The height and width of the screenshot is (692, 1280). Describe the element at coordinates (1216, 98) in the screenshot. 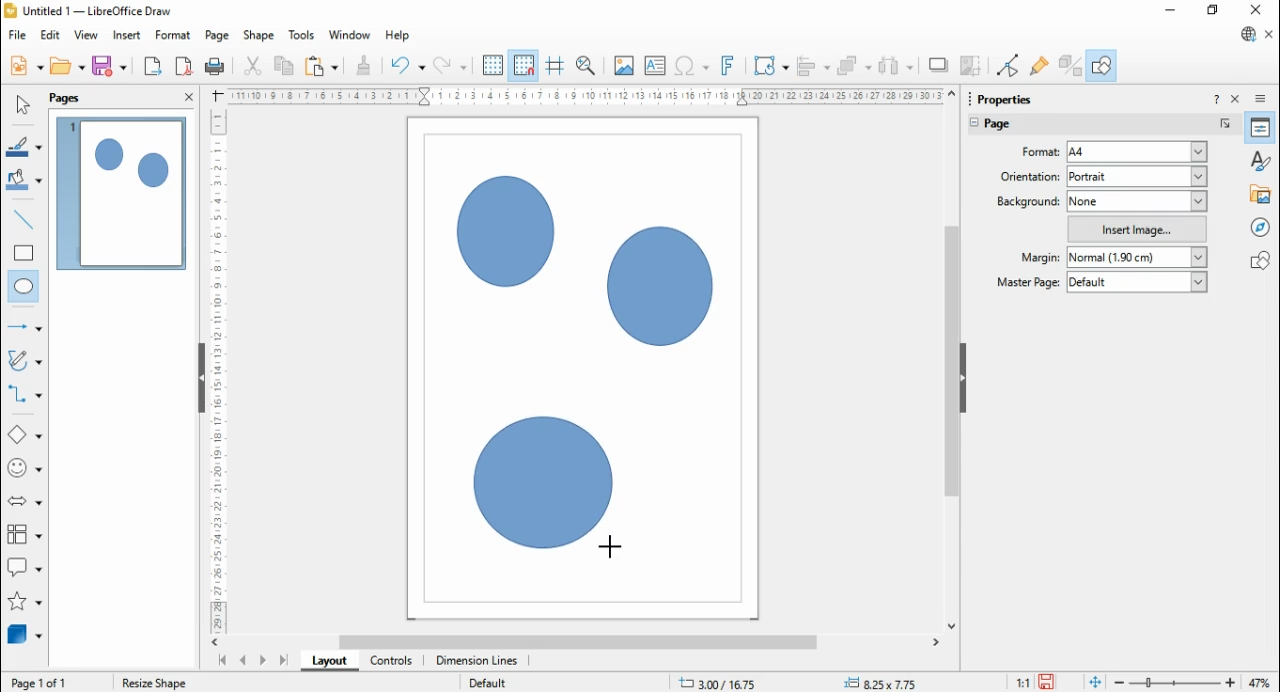

I see `help about this sidebar deck` at that location.